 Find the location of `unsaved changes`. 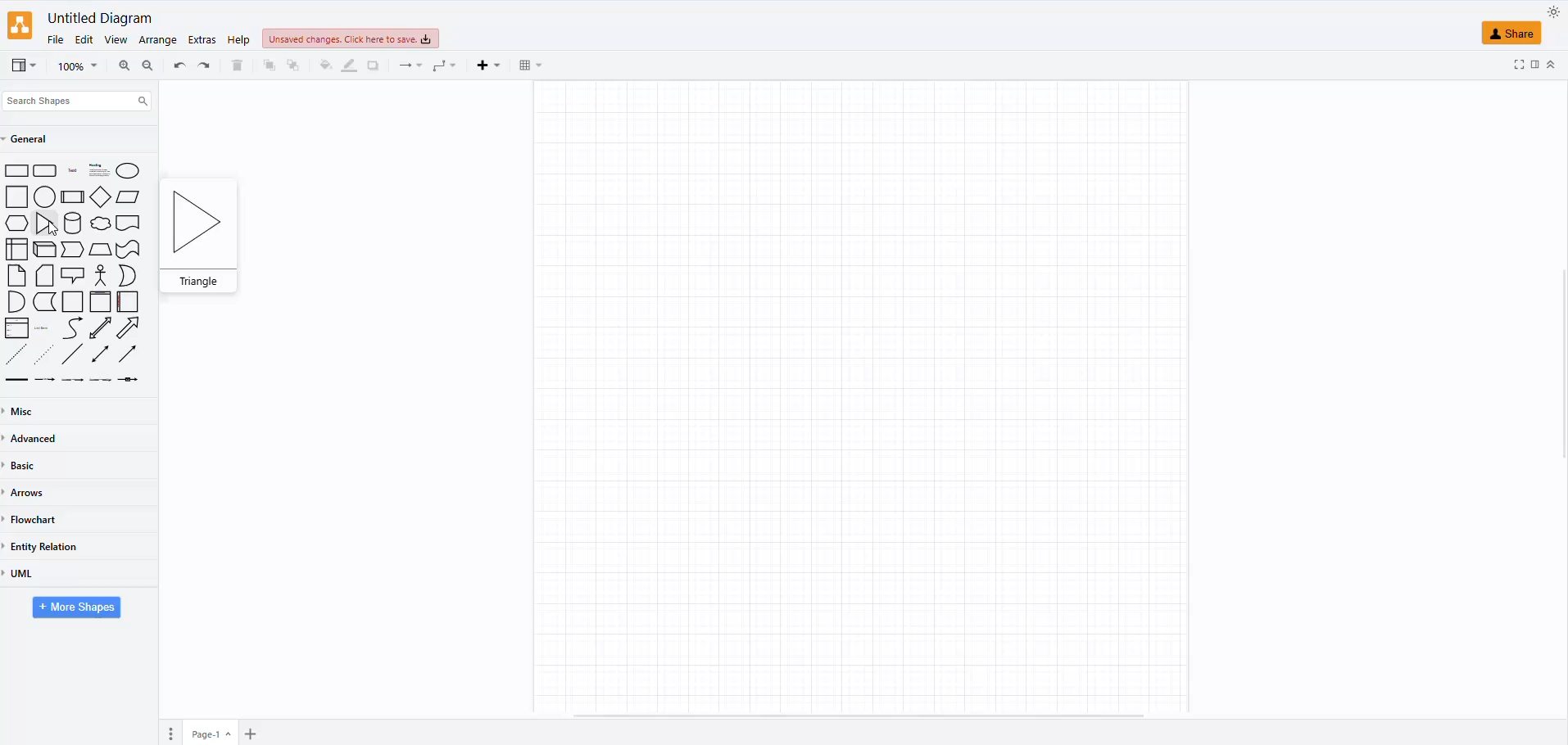

unsaved changes is located at coordinates (347, 40).